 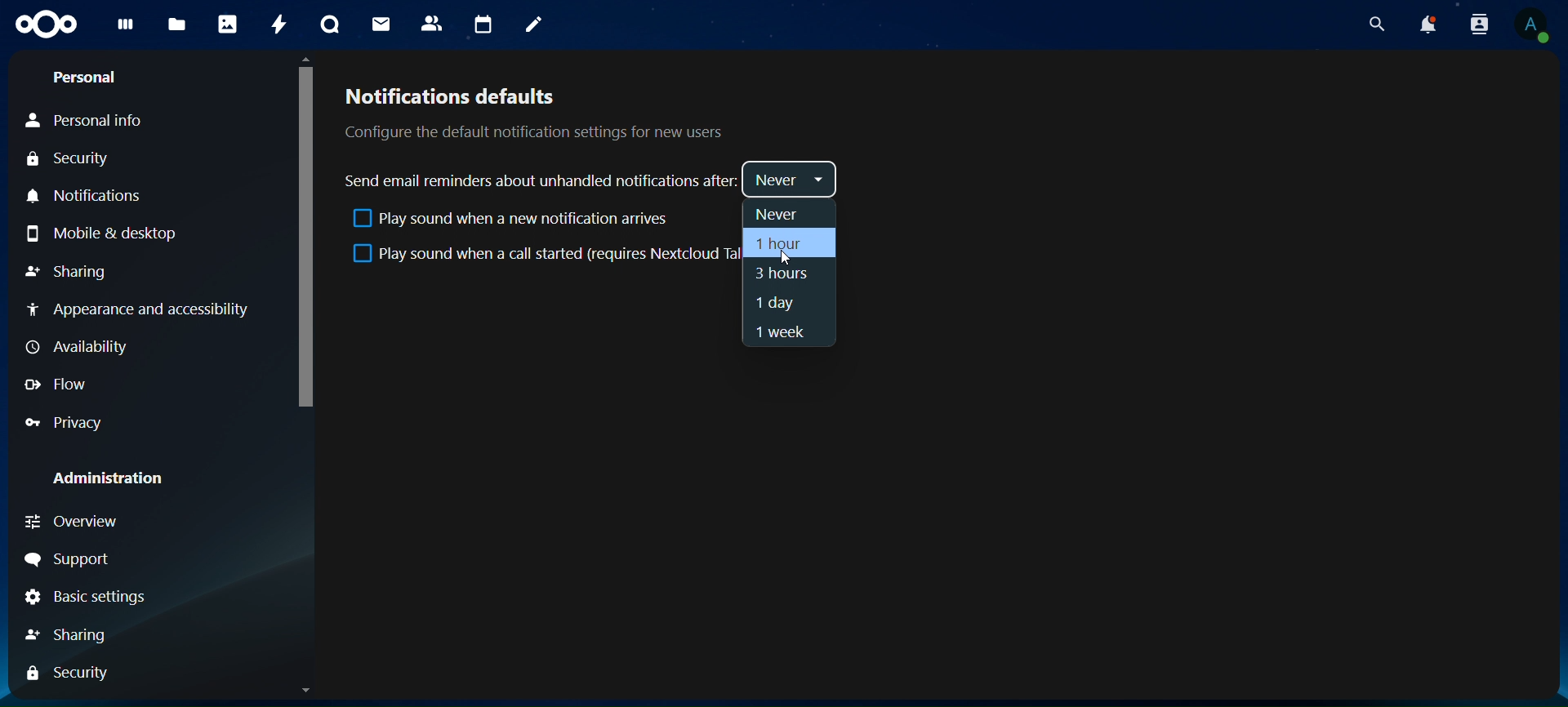 What do you see at coordinates (780, 215) in the screenshot?
I see `never` at bounding box center [780, 215].